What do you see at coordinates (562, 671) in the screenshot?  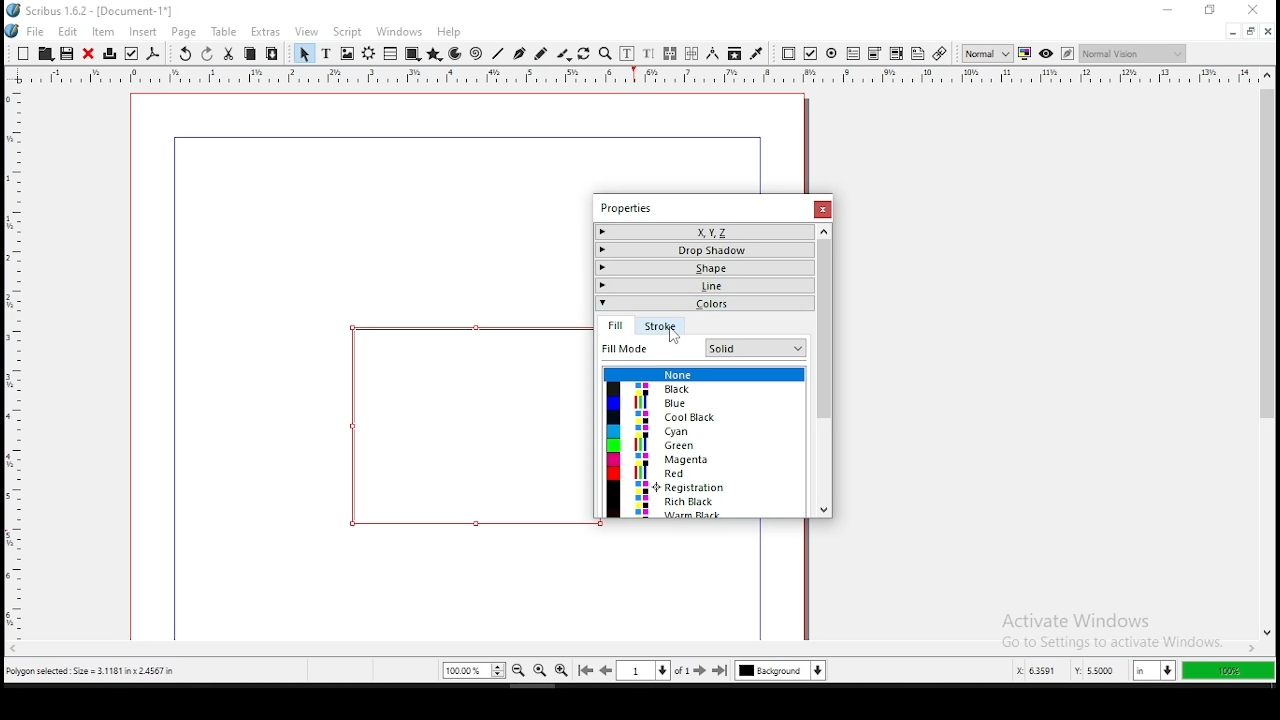 I see `zoom in` at bounding box center [562, 671].